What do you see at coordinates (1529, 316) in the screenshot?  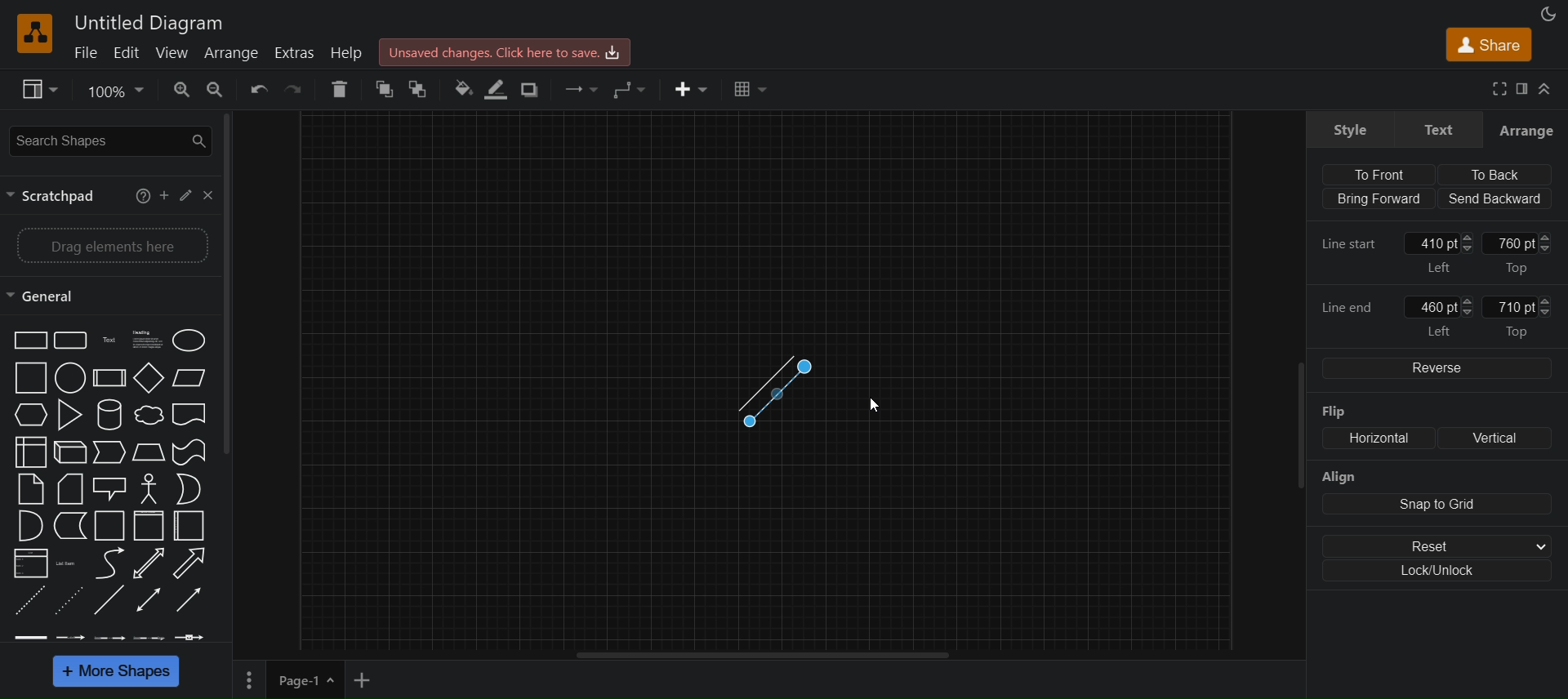 I see `710 pt top` at bounding box center [1529, 316].